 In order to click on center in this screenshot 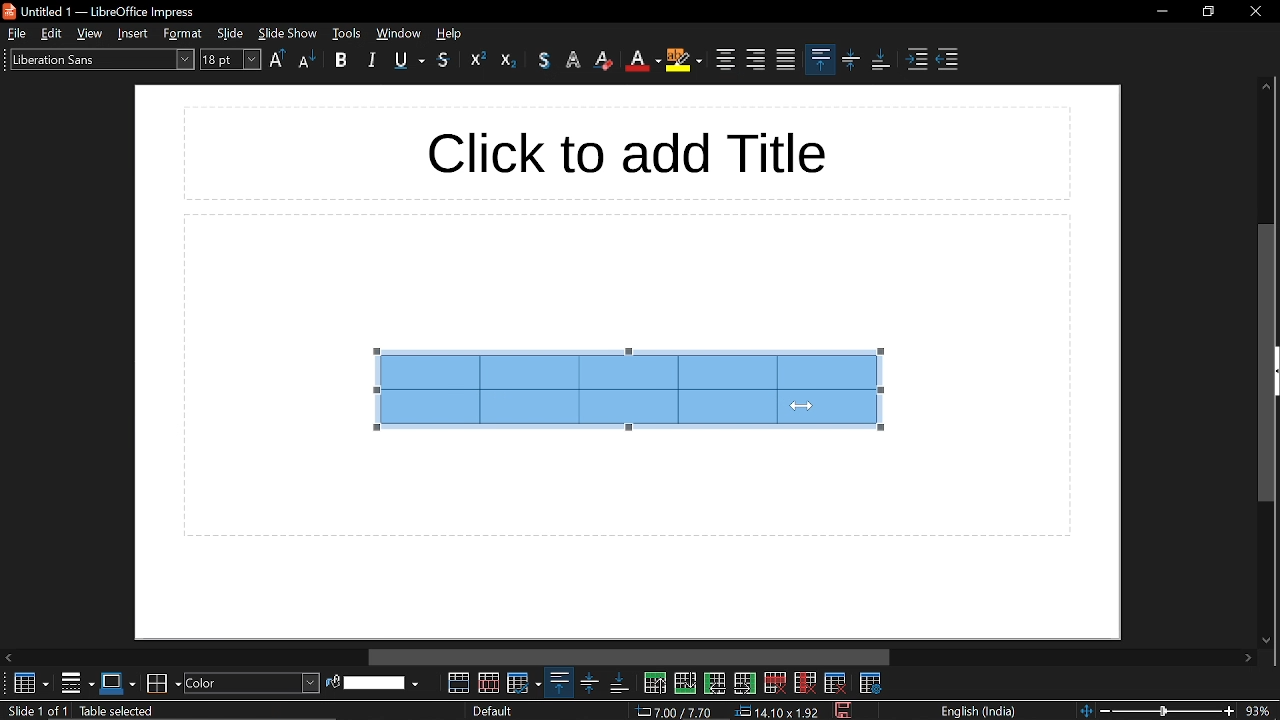, I will do `click(724, 57)`.